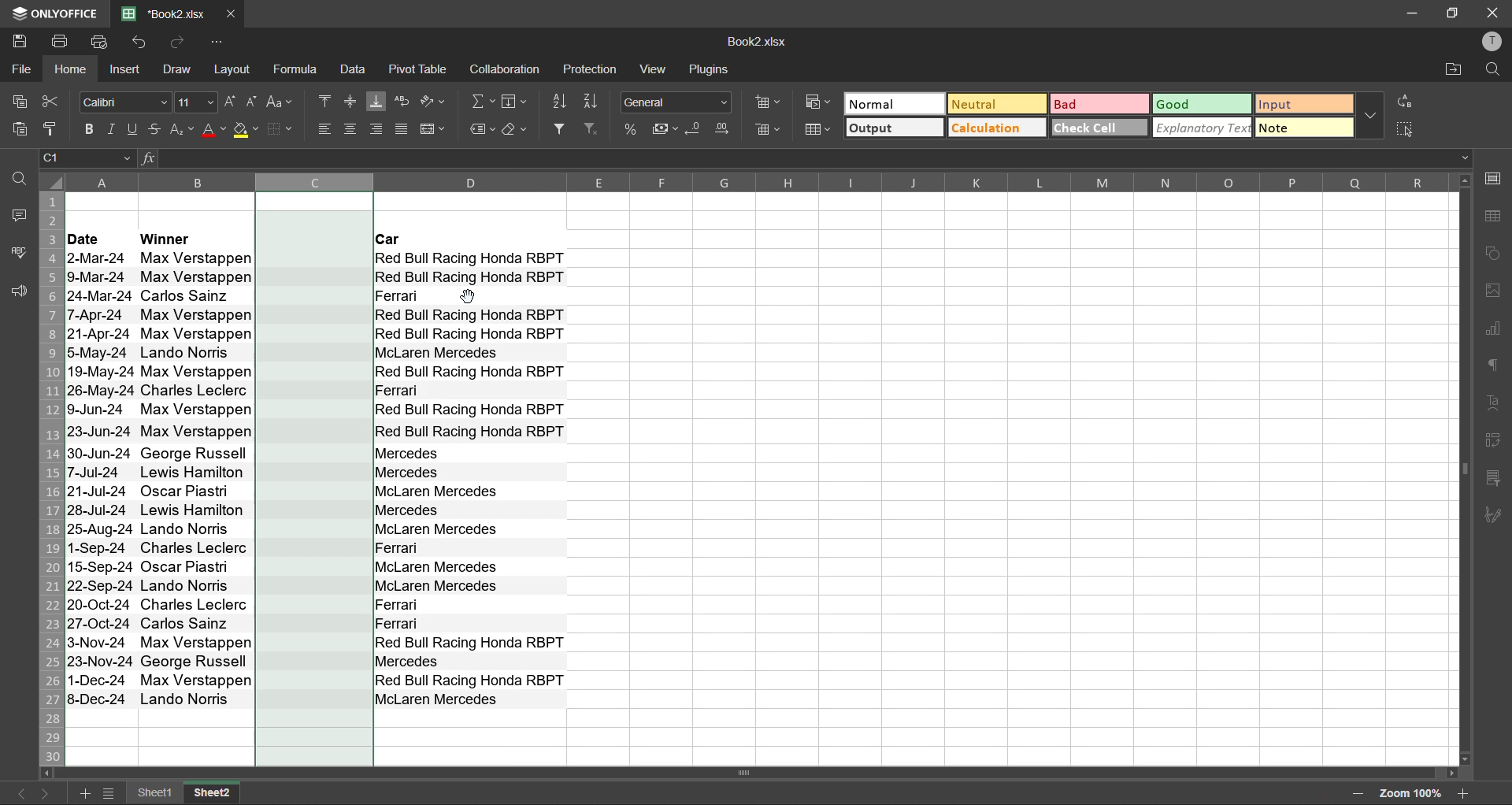 This screenshot has width=1512, height=805. What do you see at coordinates (769, 102) in the screenshot?
I see `insert cells` at bounding box center [769, 102].